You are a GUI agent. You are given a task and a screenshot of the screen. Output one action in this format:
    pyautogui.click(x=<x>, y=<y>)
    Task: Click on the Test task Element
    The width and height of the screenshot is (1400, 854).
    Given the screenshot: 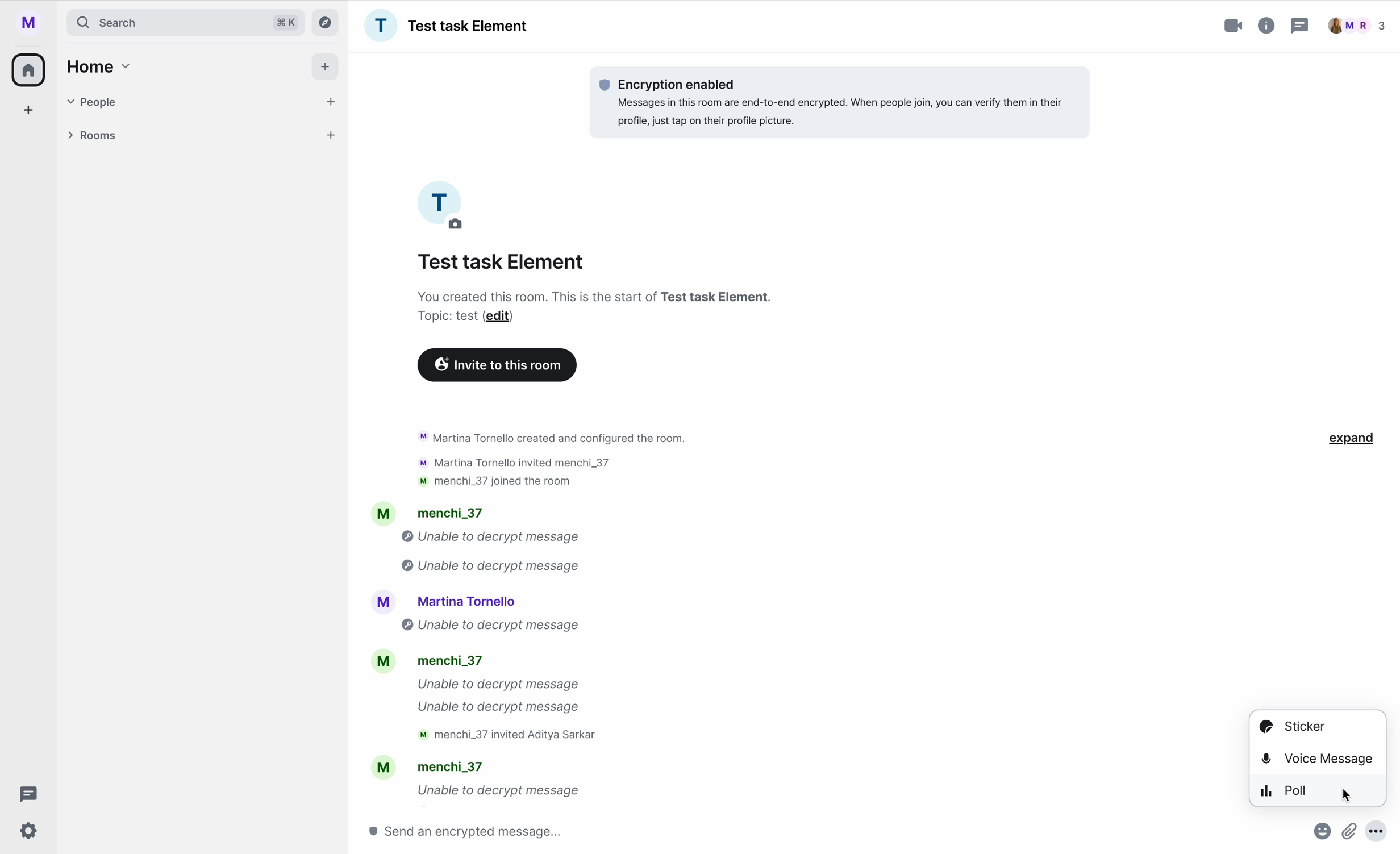 What is the action you would take?
    pyautogui.click(x=446, y=26)
    